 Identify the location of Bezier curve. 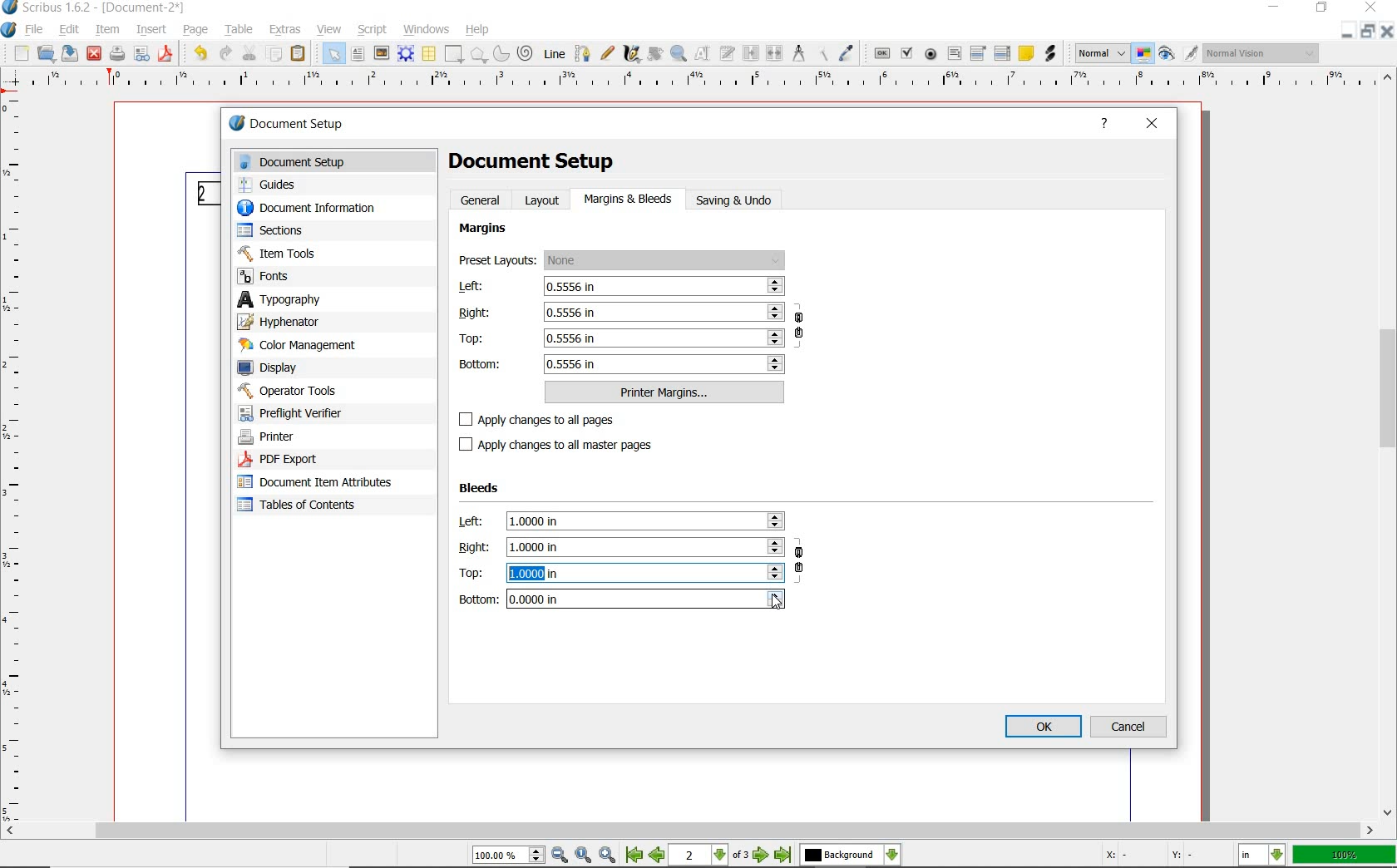
(583, 53).